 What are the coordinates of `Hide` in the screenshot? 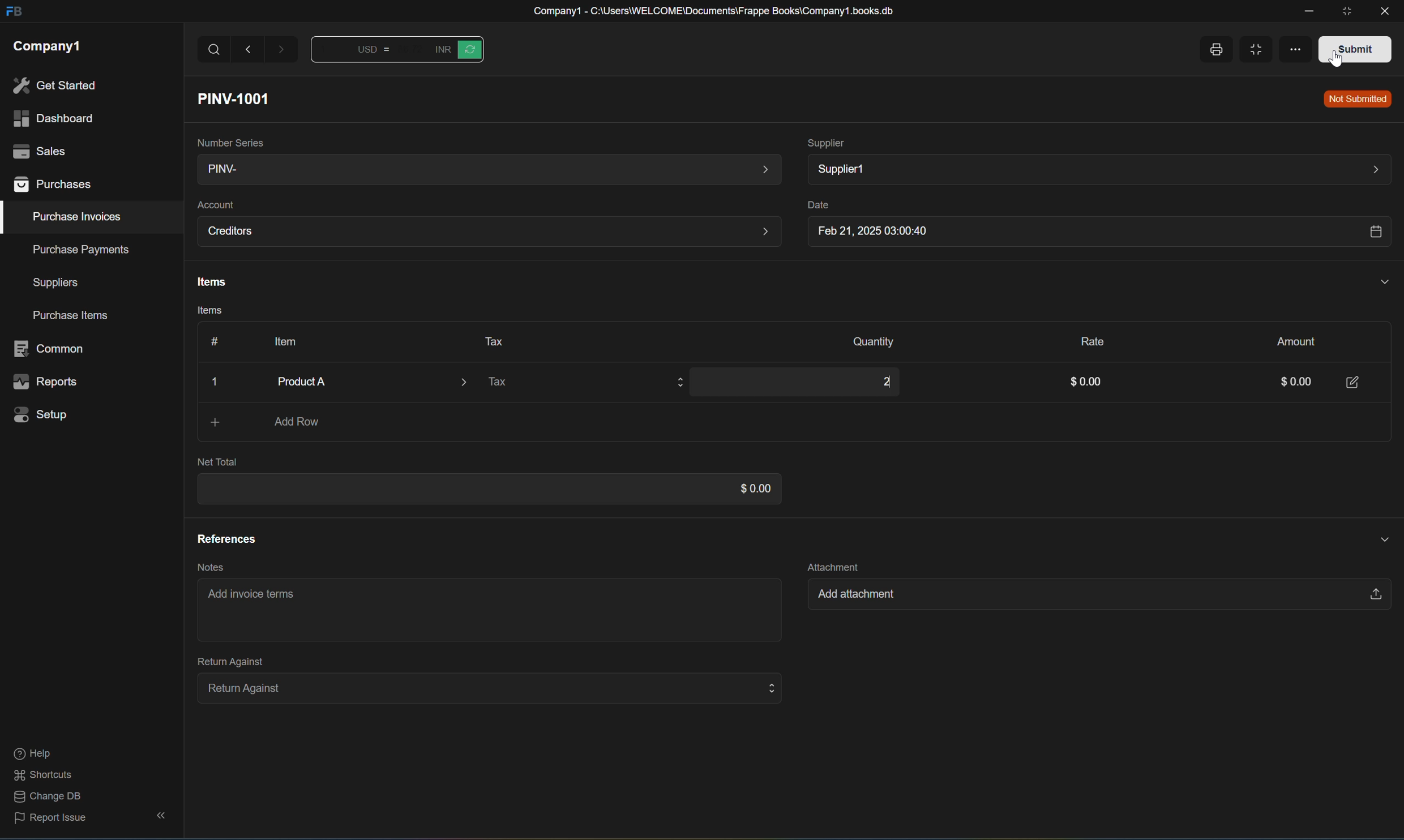 It's located at (1377, 537).